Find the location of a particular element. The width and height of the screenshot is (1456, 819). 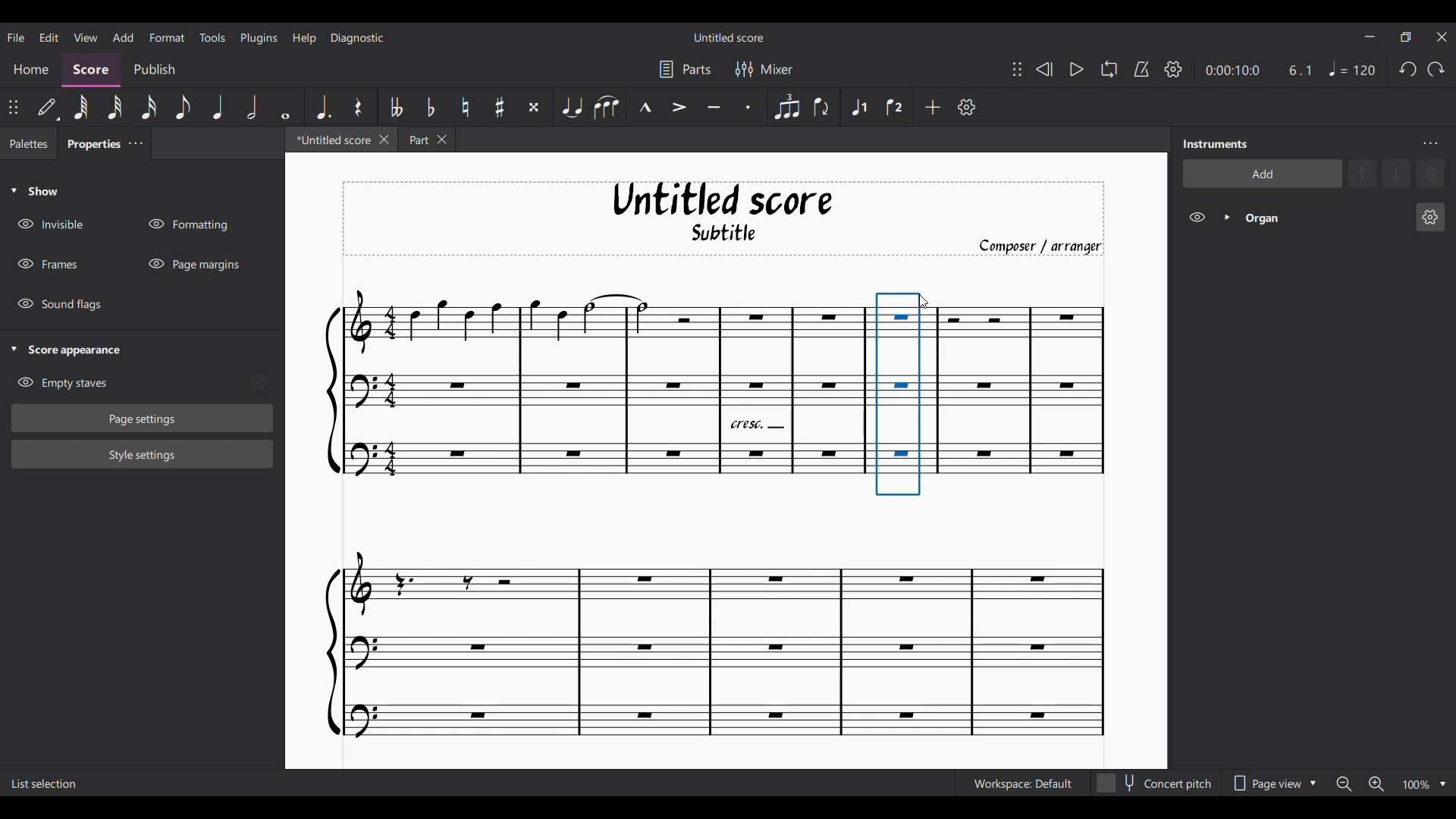

Add is located at coordinates (932, 106).